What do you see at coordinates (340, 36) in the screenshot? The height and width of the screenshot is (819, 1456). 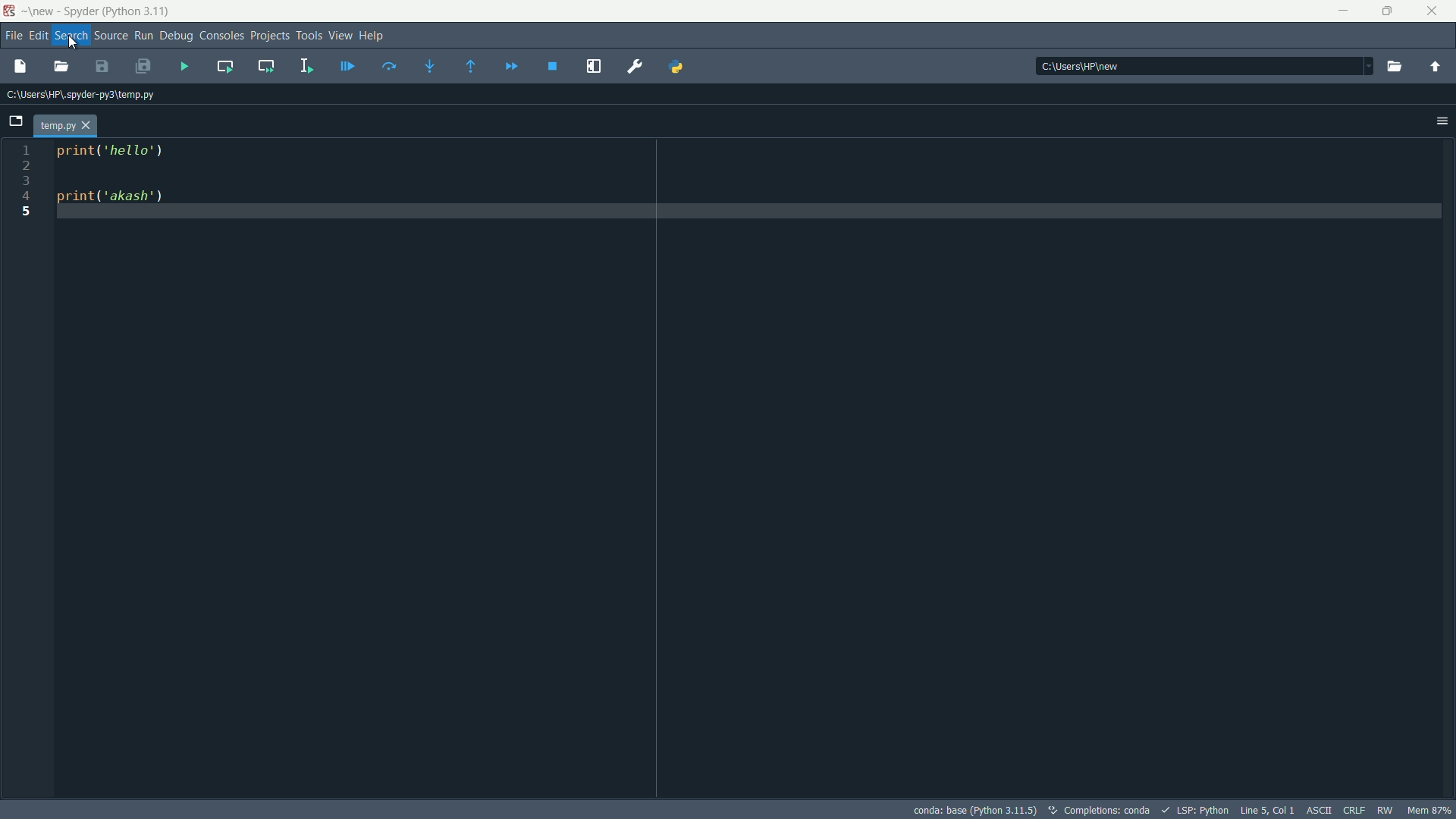 I see `view menu` at bounding box center [340, 36].